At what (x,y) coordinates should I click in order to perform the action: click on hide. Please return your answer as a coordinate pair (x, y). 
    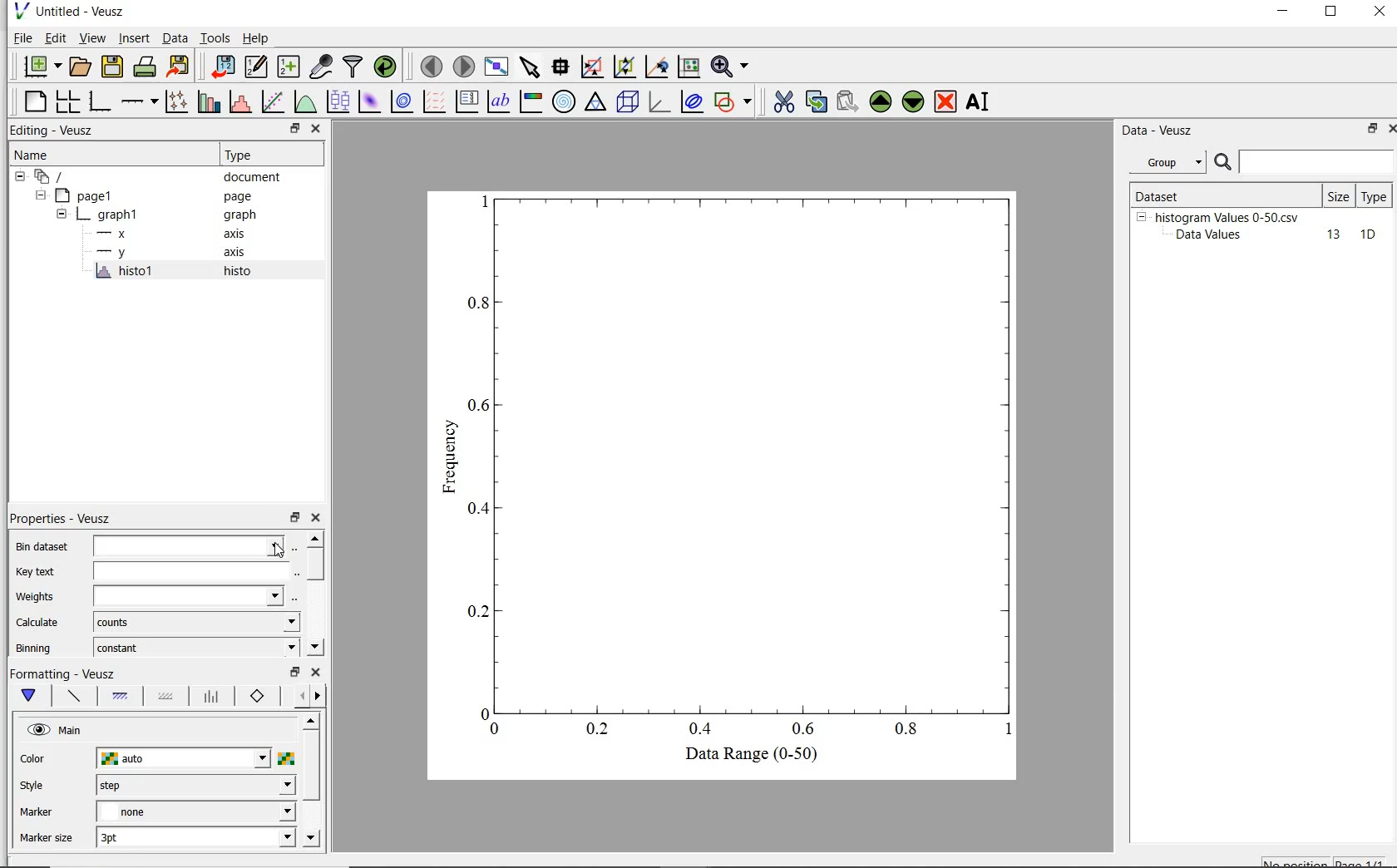
    Looking at the image, I should click on (20, 177).